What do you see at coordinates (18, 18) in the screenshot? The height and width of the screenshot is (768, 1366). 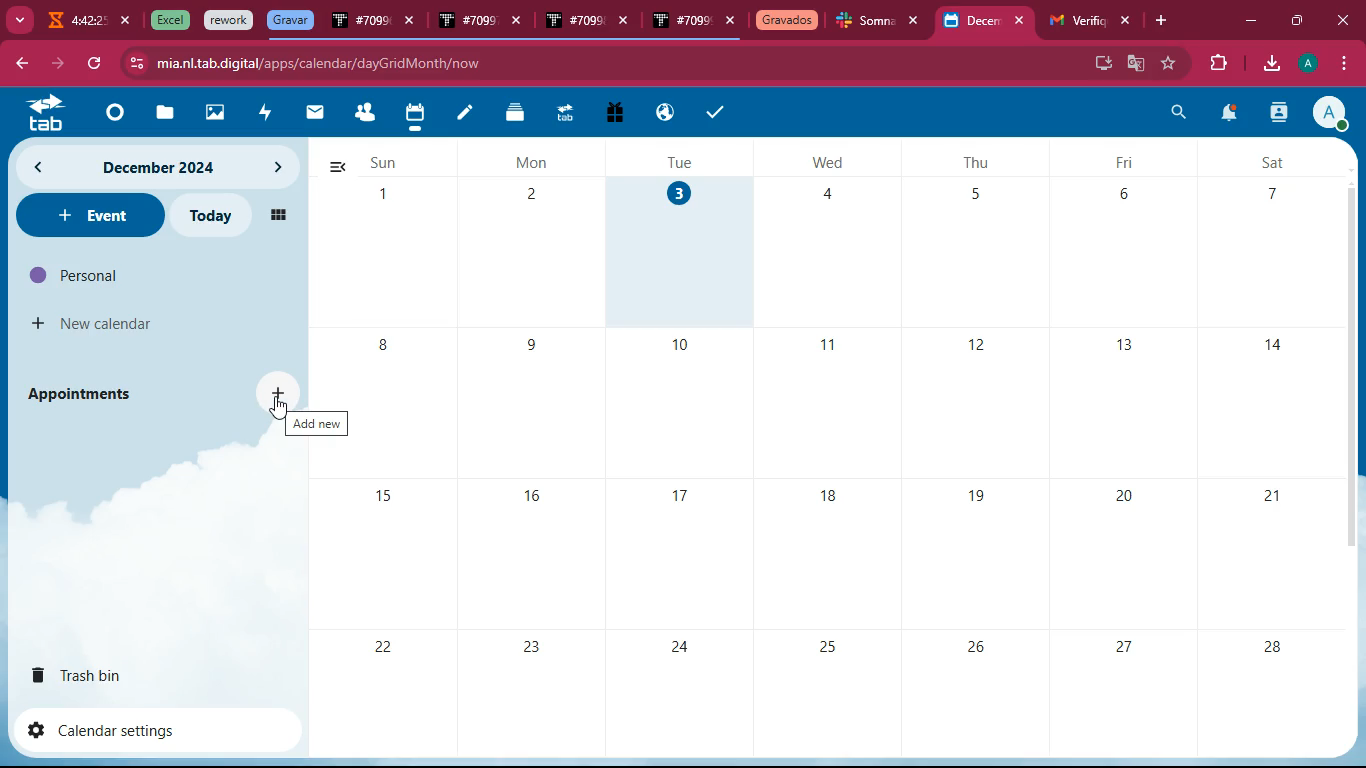 I see `more` at bounding box center [18, 18].